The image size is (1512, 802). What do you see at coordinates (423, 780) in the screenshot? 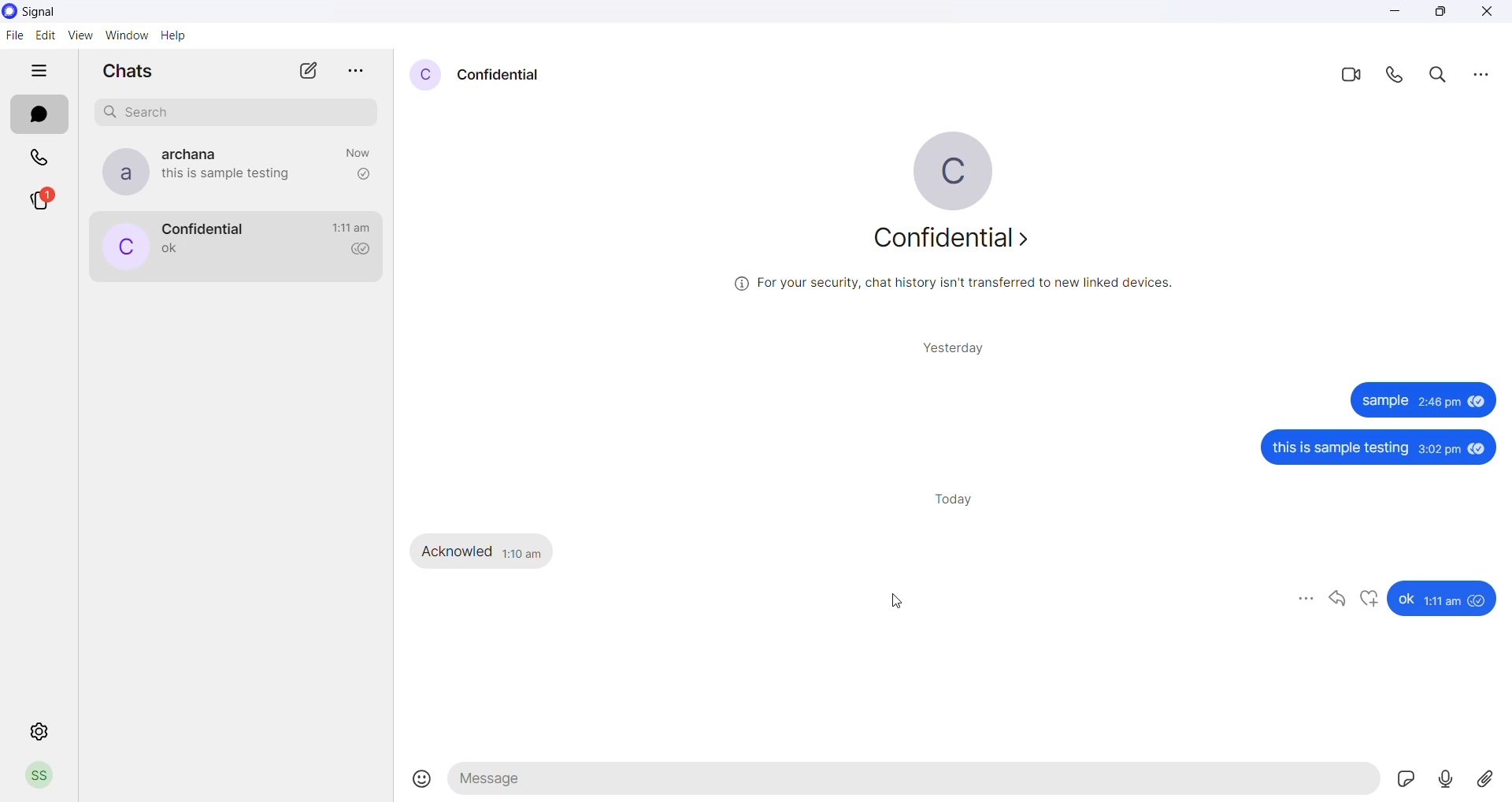
I see `emojis` at bounding box center [423, 780].